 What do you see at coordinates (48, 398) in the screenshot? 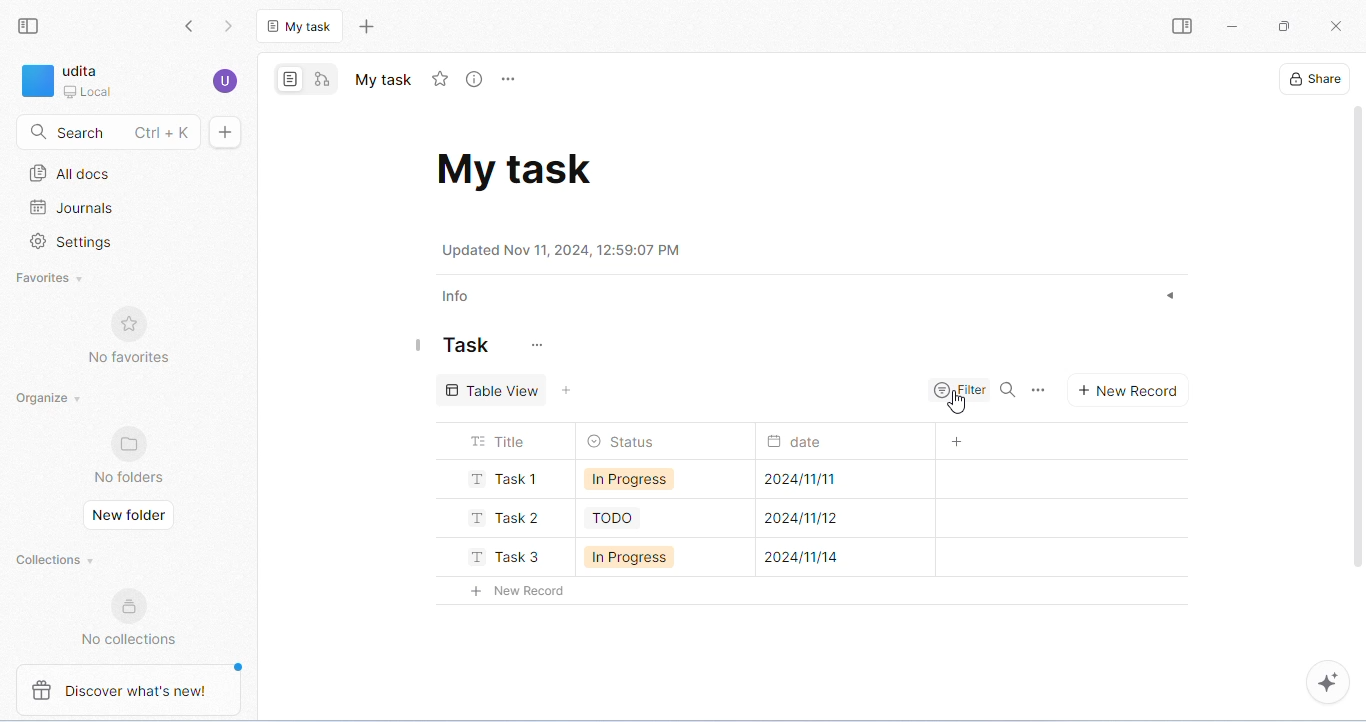
I see `organize` at bounding box center [48, 398].